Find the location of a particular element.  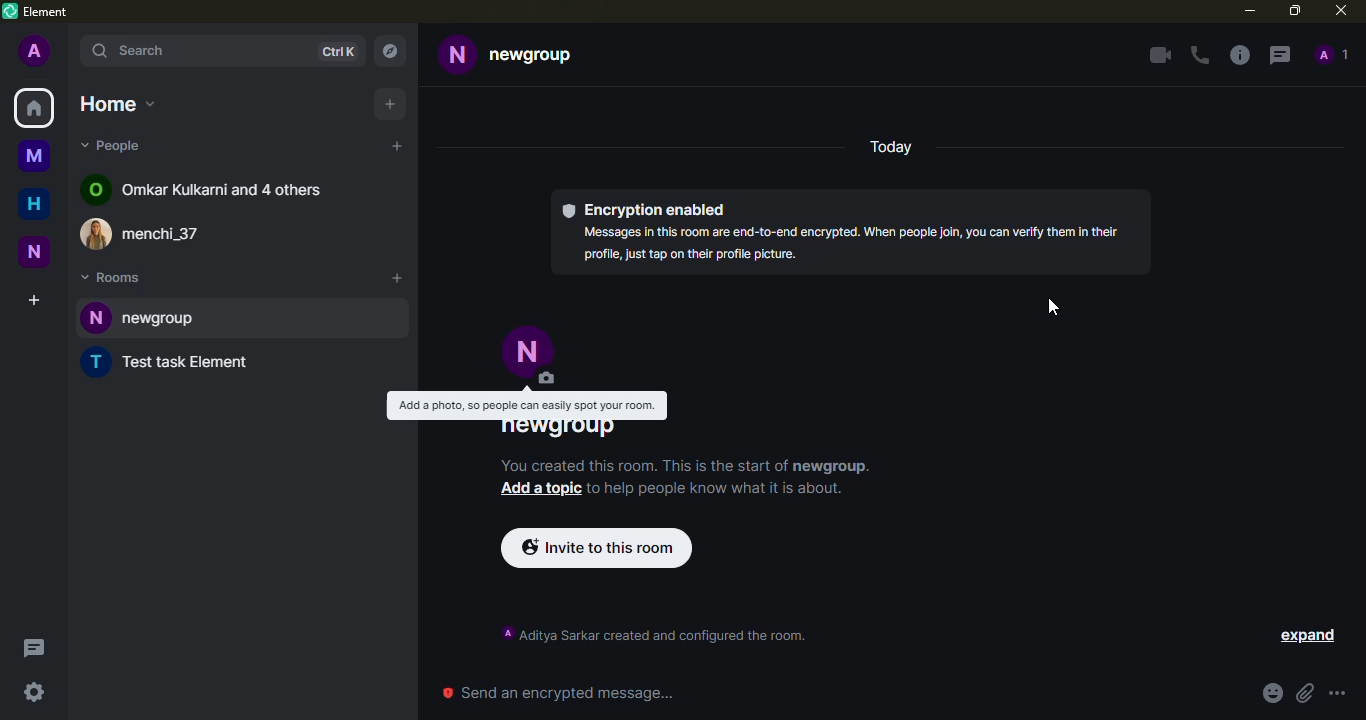

menchi_37 is located at coordinates (163, 234).